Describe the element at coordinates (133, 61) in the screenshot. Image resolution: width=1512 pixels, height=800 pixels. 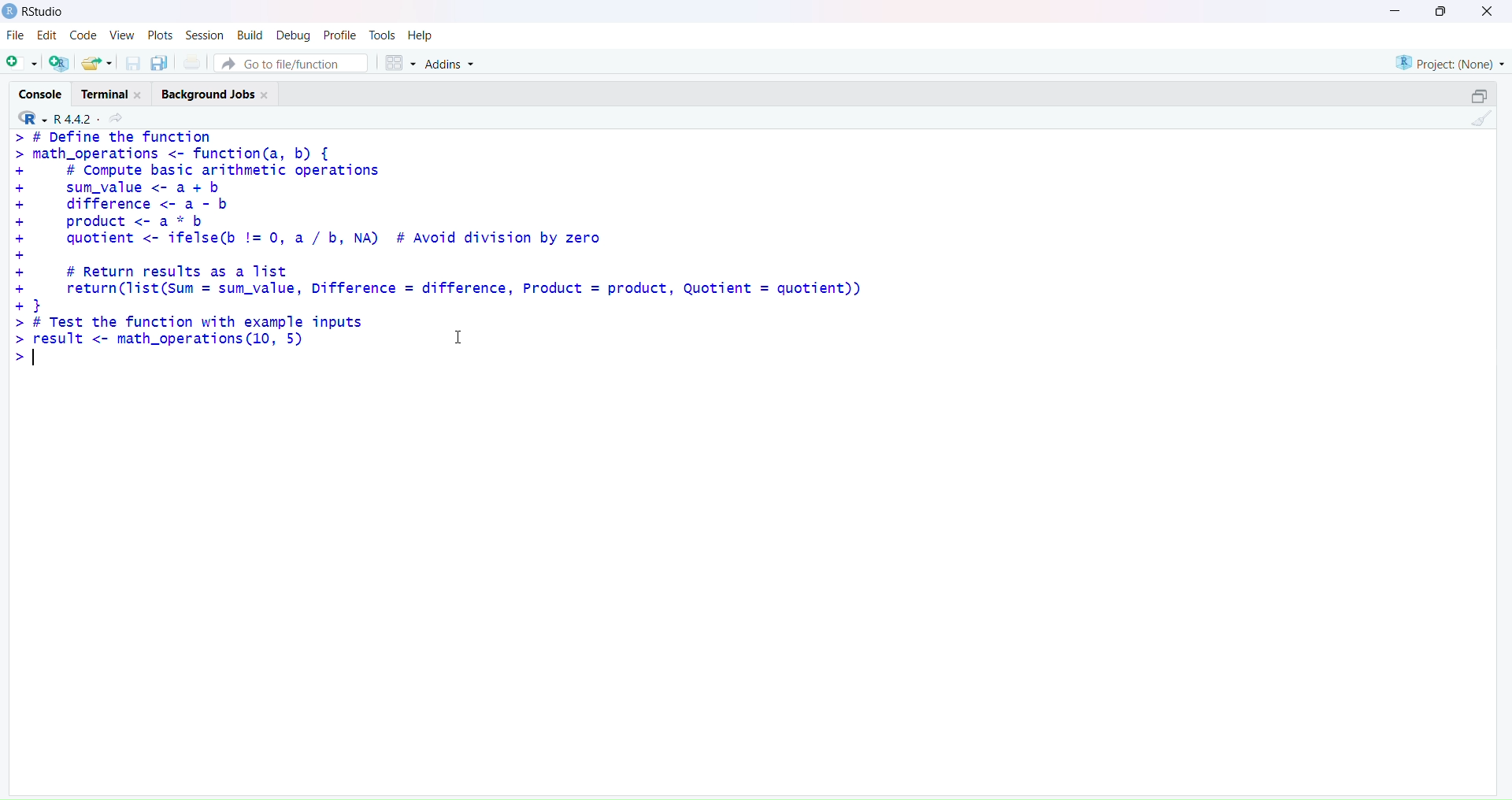
I see `Save current document (Ctrl + S)` at that location.